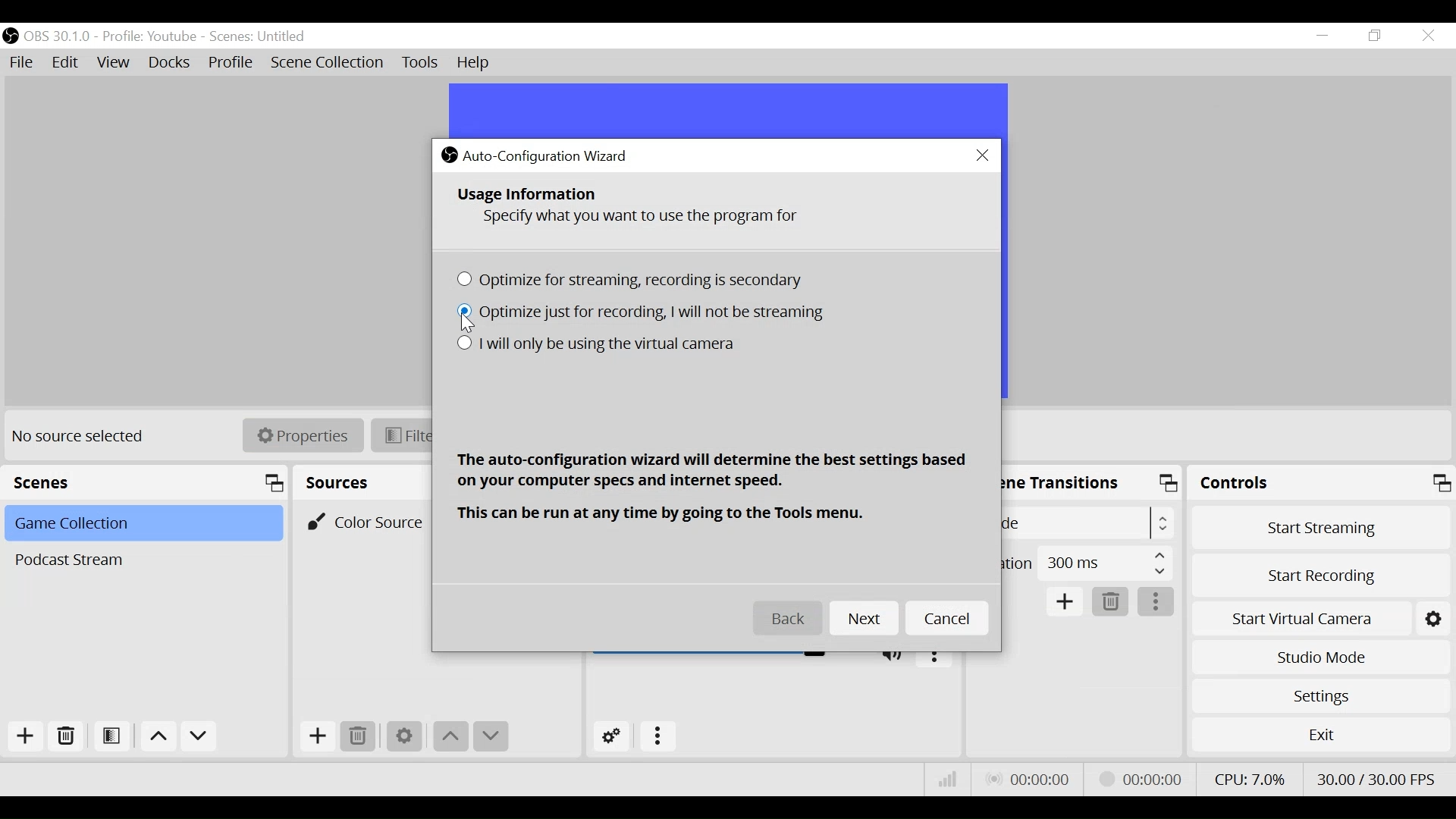  What do you see at coordinates (113, 63) in the screenshot?
I see `View` at bounding box center [113, 63].